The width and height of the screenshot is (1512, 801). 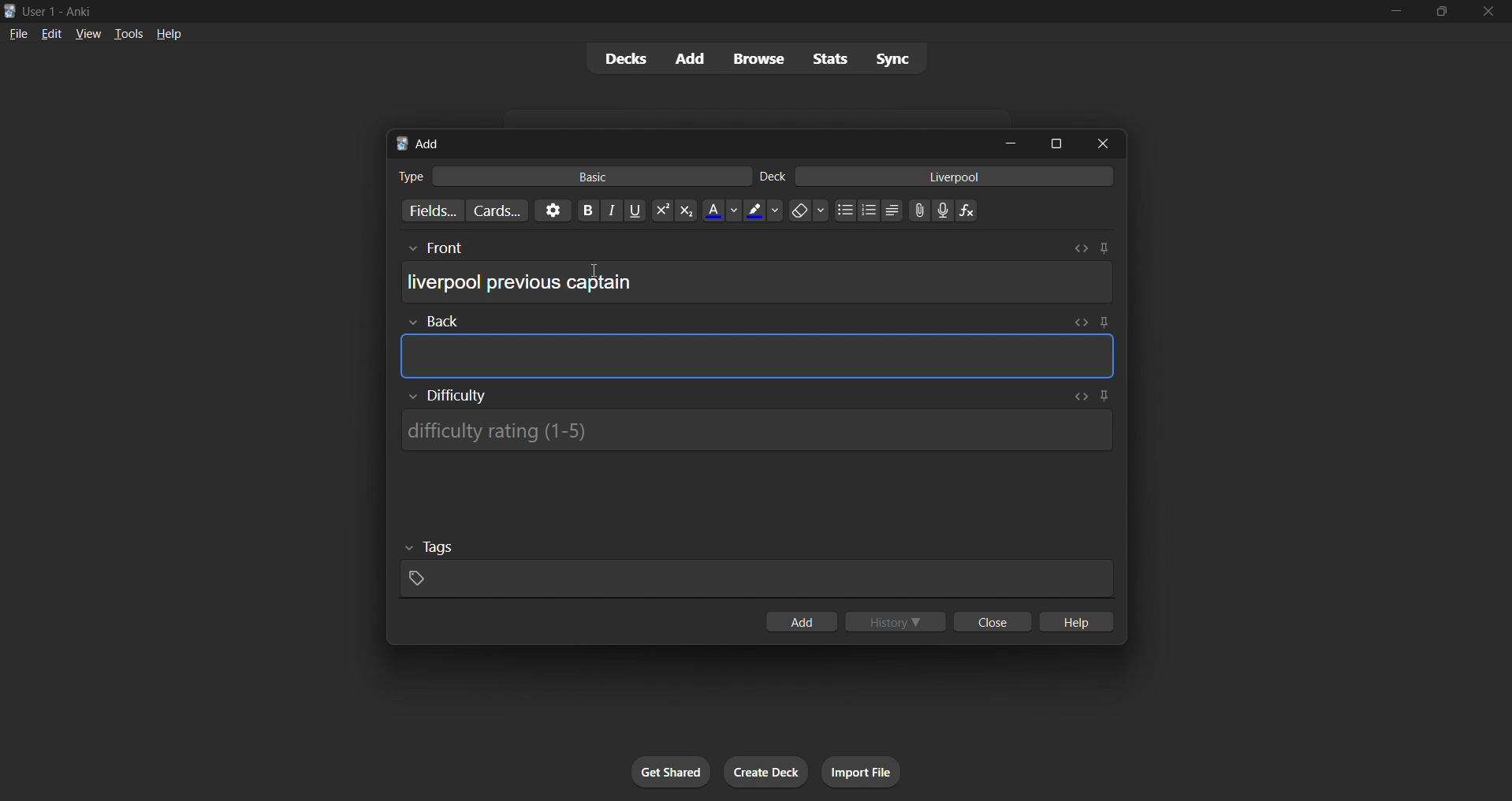 I want to click on hlep, so click(x=1078, y=623).